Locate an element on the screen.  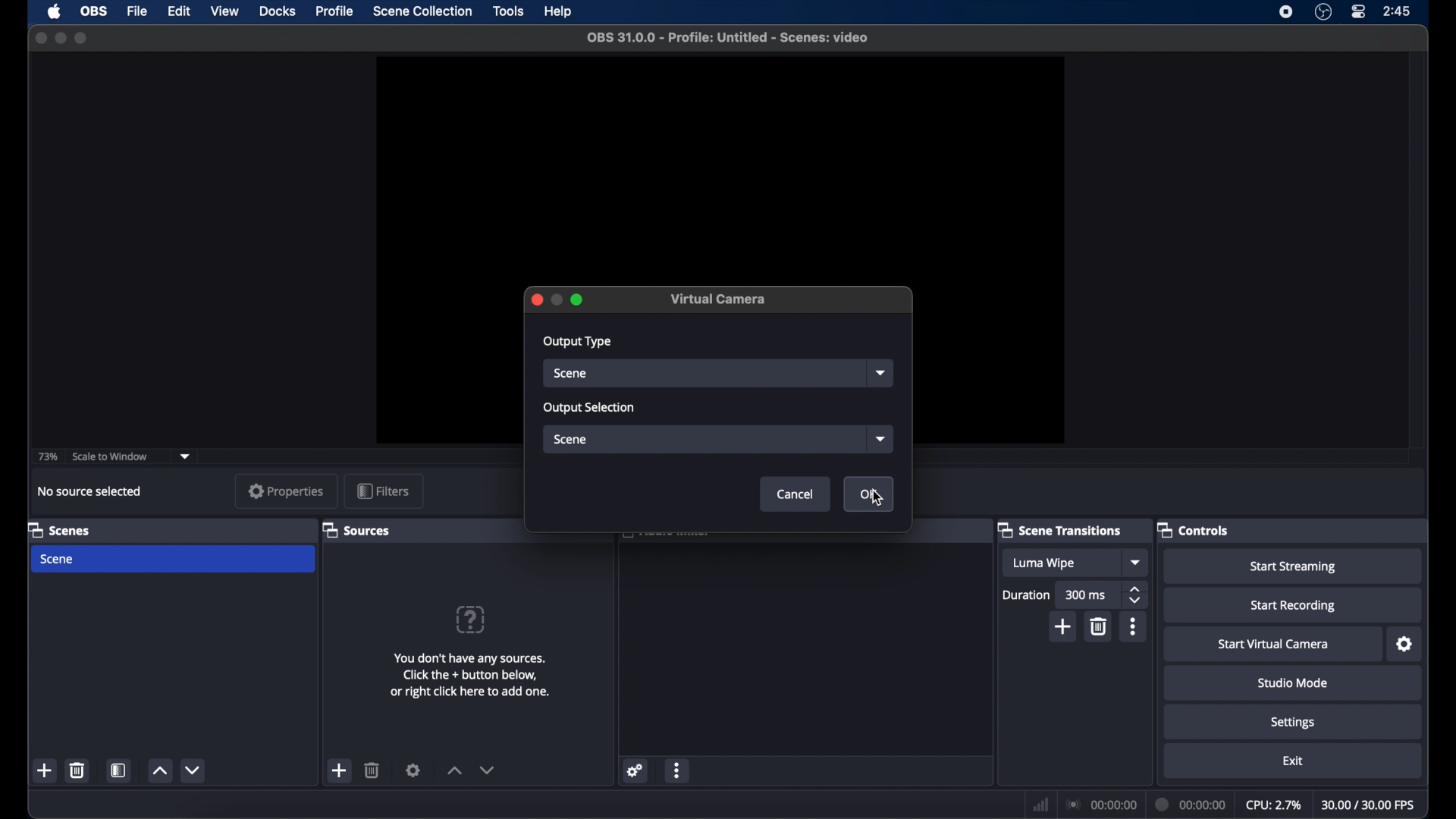
obscure text is located at coordinates (665, 538).